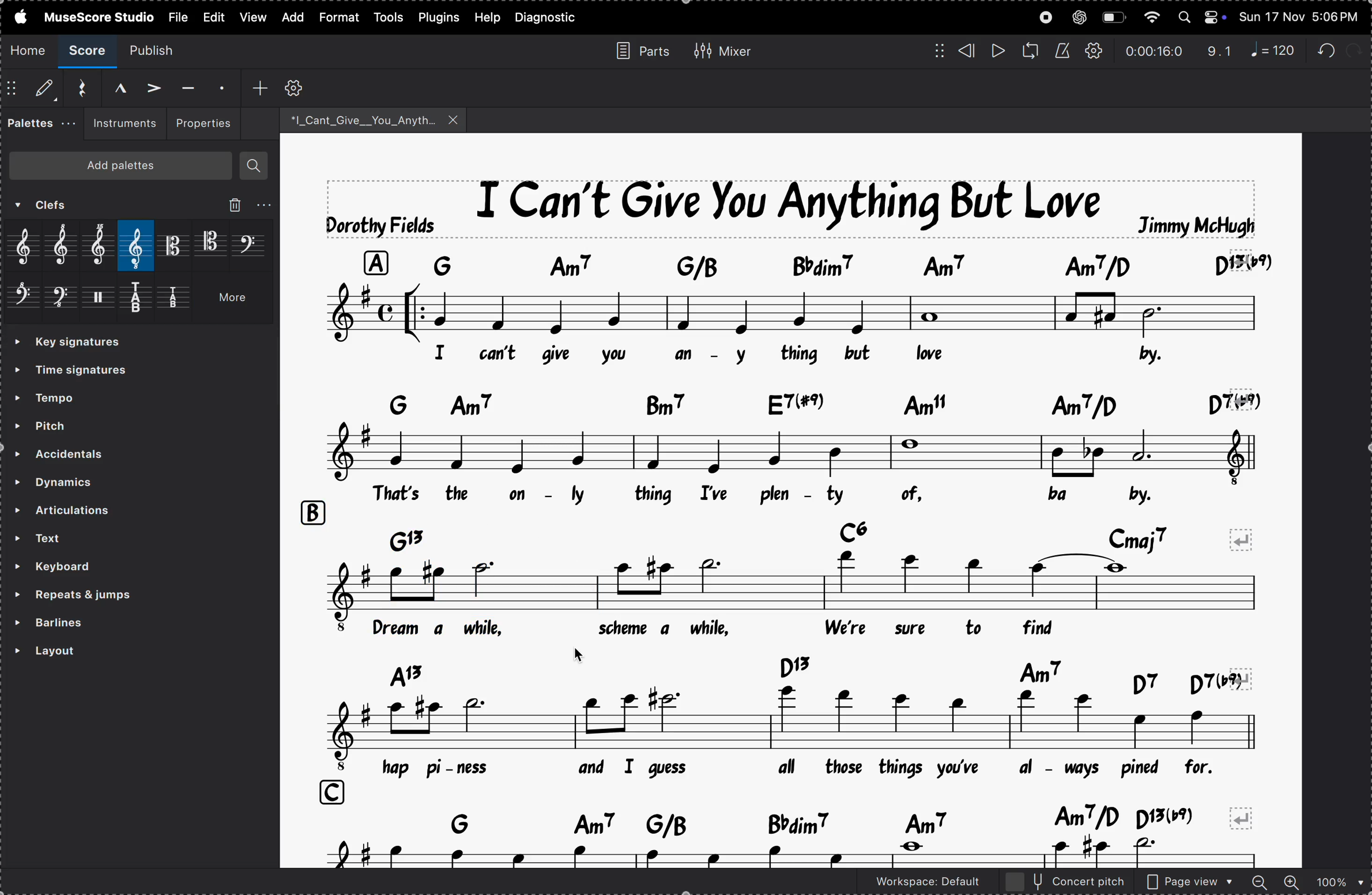 This screenshot has height=895, width=1372. I want to click on treble clef 8 alta, so click(66, 246).